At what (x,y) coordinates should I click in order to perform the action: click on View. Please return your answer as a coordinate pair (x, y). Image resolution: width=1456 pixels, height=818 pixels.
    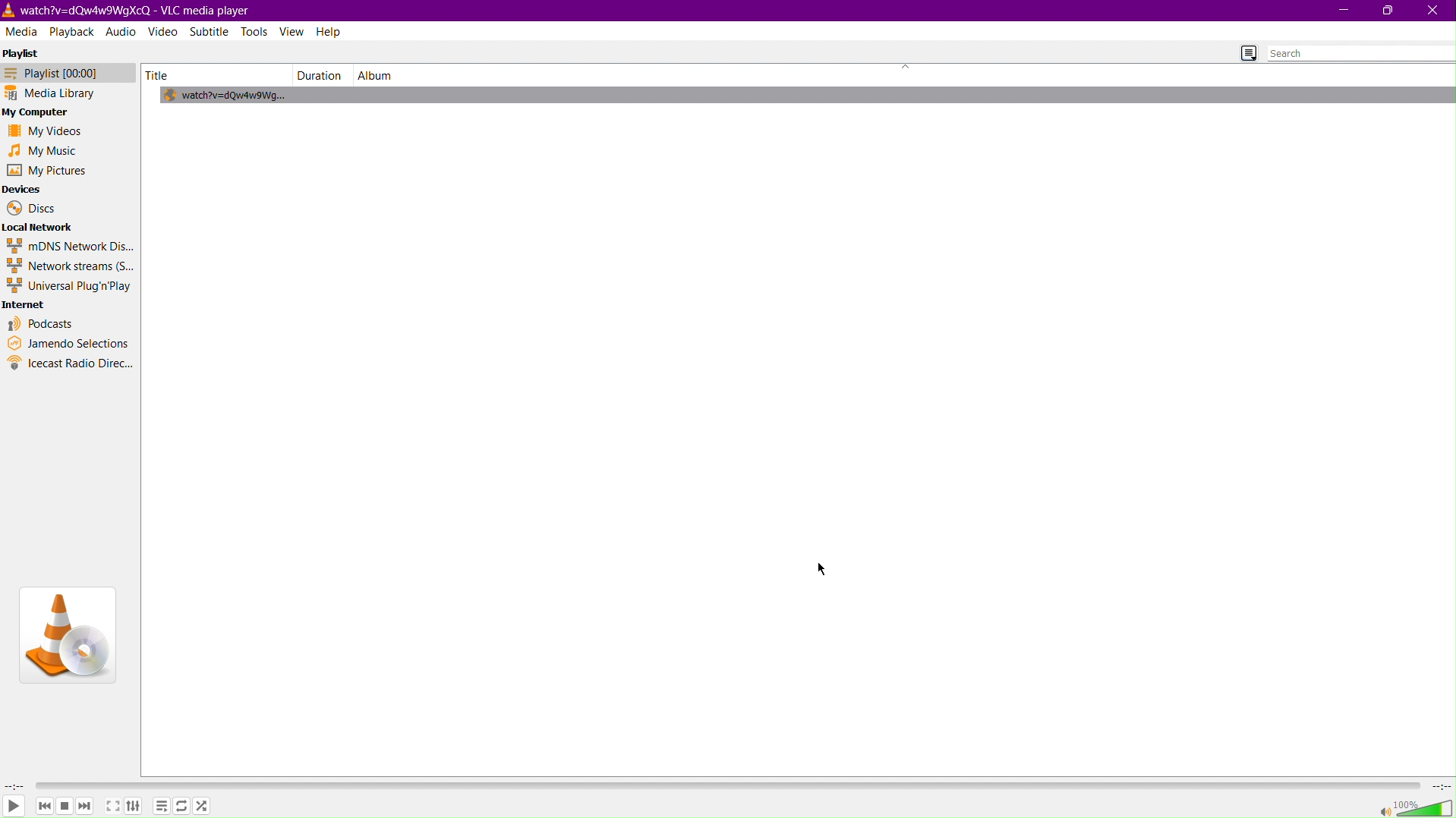
    Looking at the image, I should click on (292, 32).